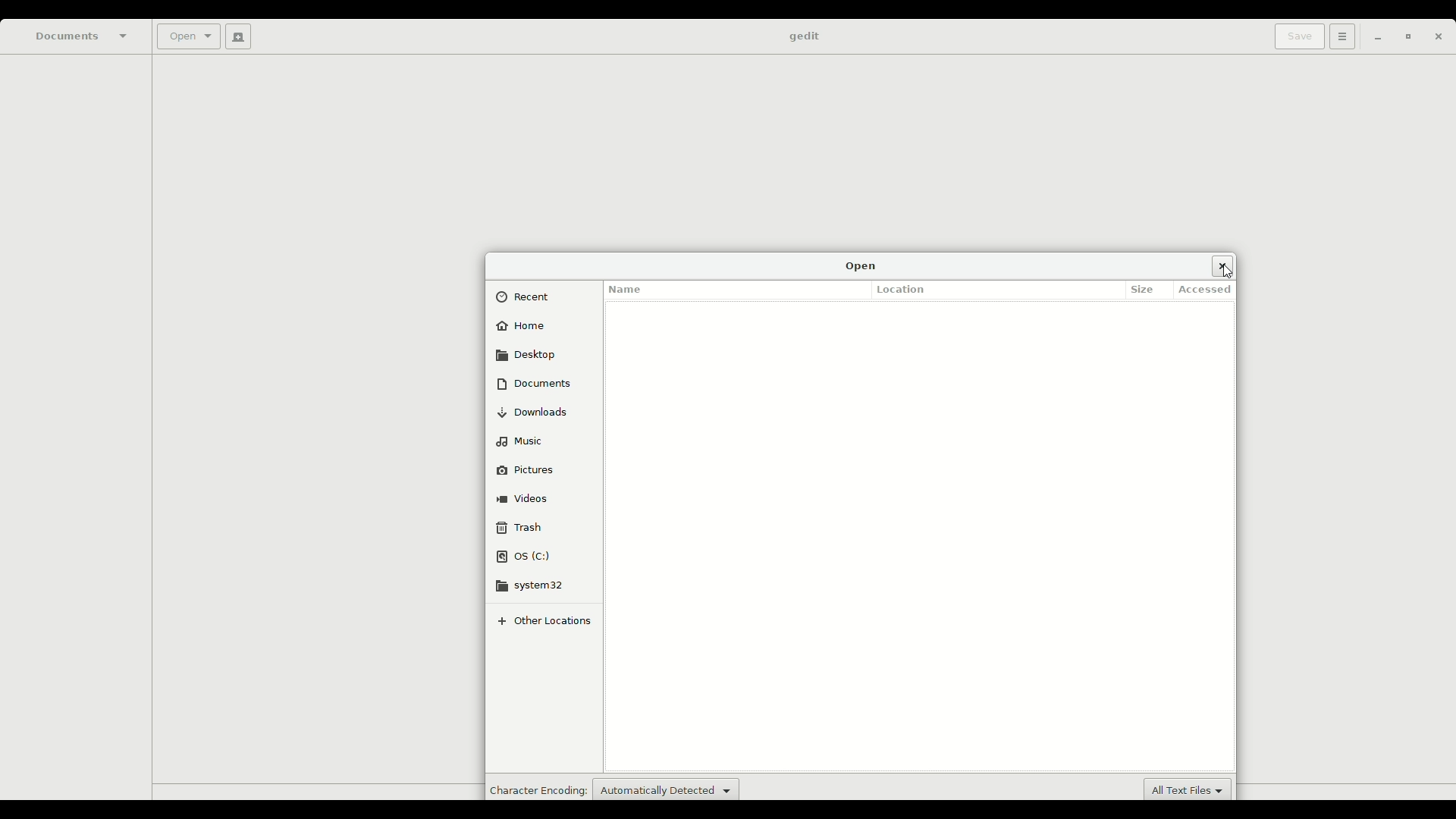 This screenshot has height=819, width=1456. I want to click on system32, so click(538, 585).